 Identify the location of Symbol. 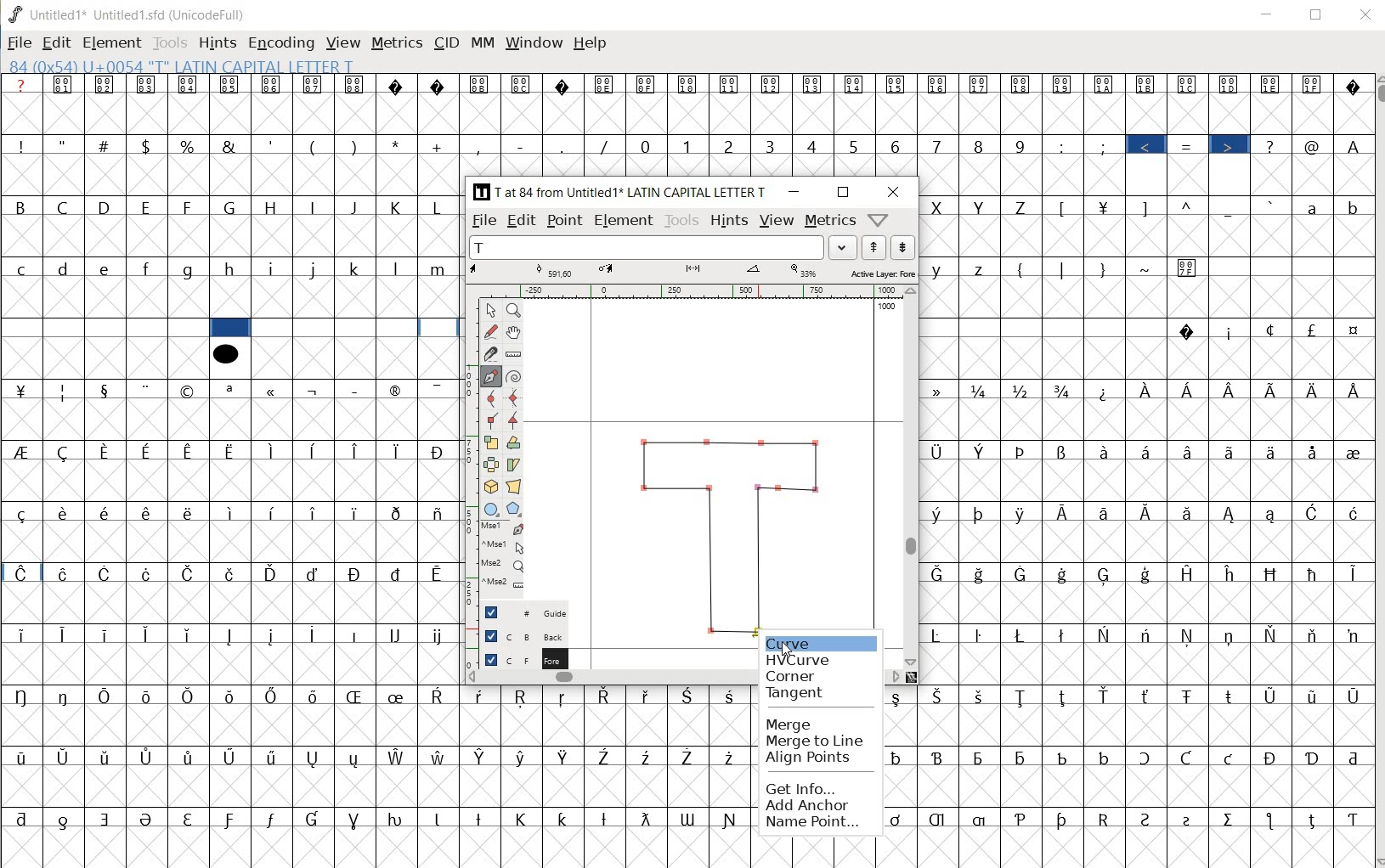
(20, 572).